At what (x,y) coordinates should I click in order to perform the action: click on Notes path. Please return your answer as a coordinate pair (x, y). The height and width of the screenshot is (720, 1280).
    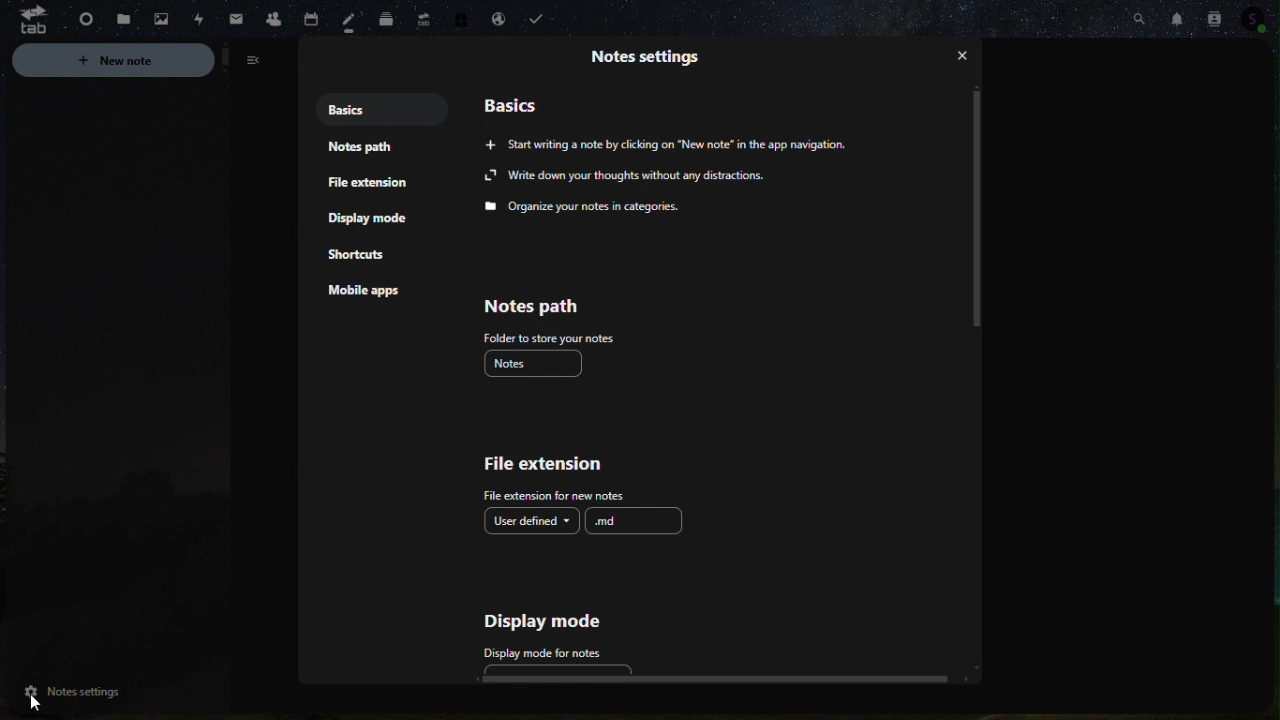
    Looking at the image, I should click on (360, 145).